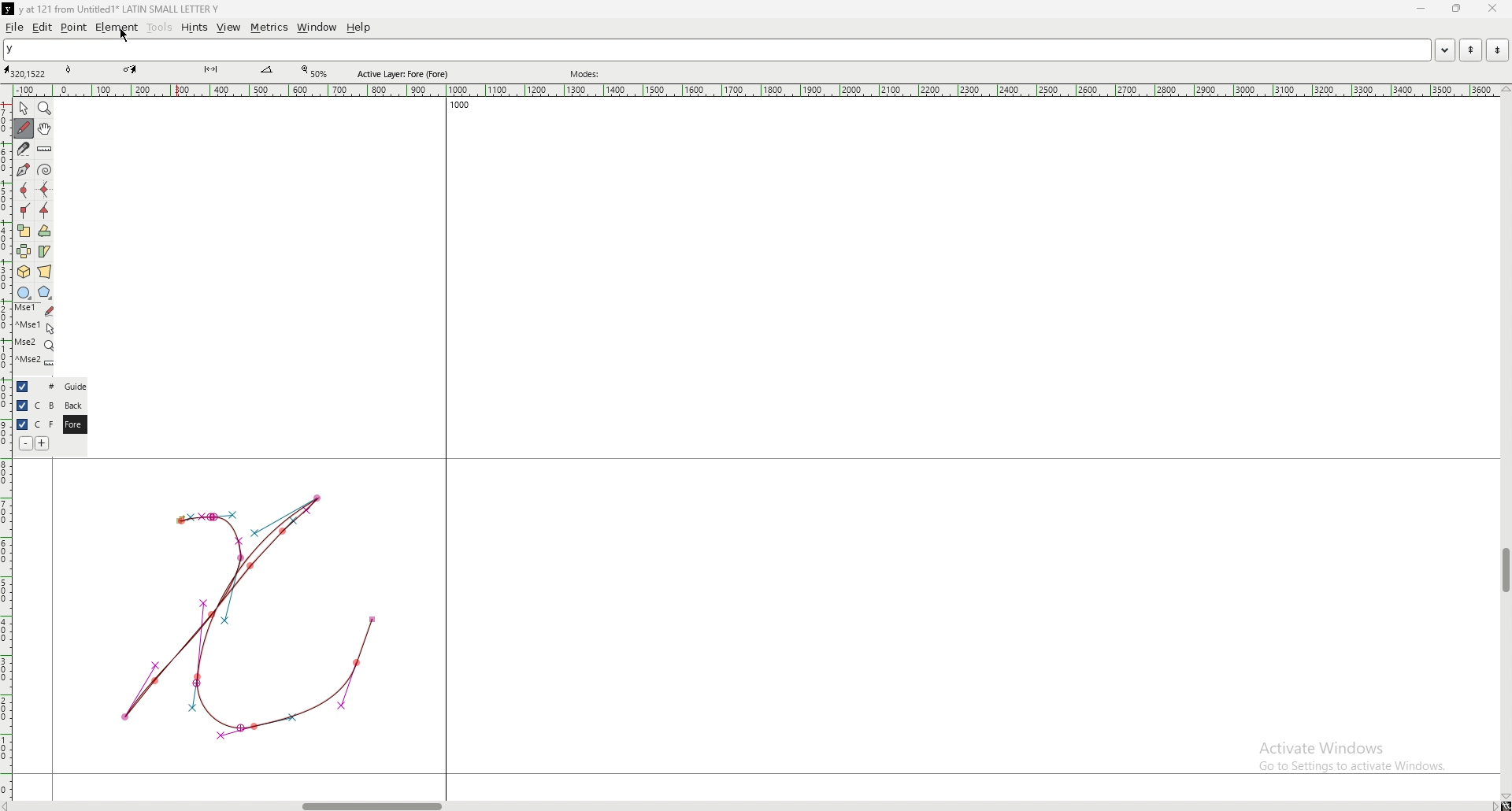 This screenshot has height=811, width=1512. Describe the element at coordinates (317, 72) in the screenshot. I see `zoom percentage` at that location.